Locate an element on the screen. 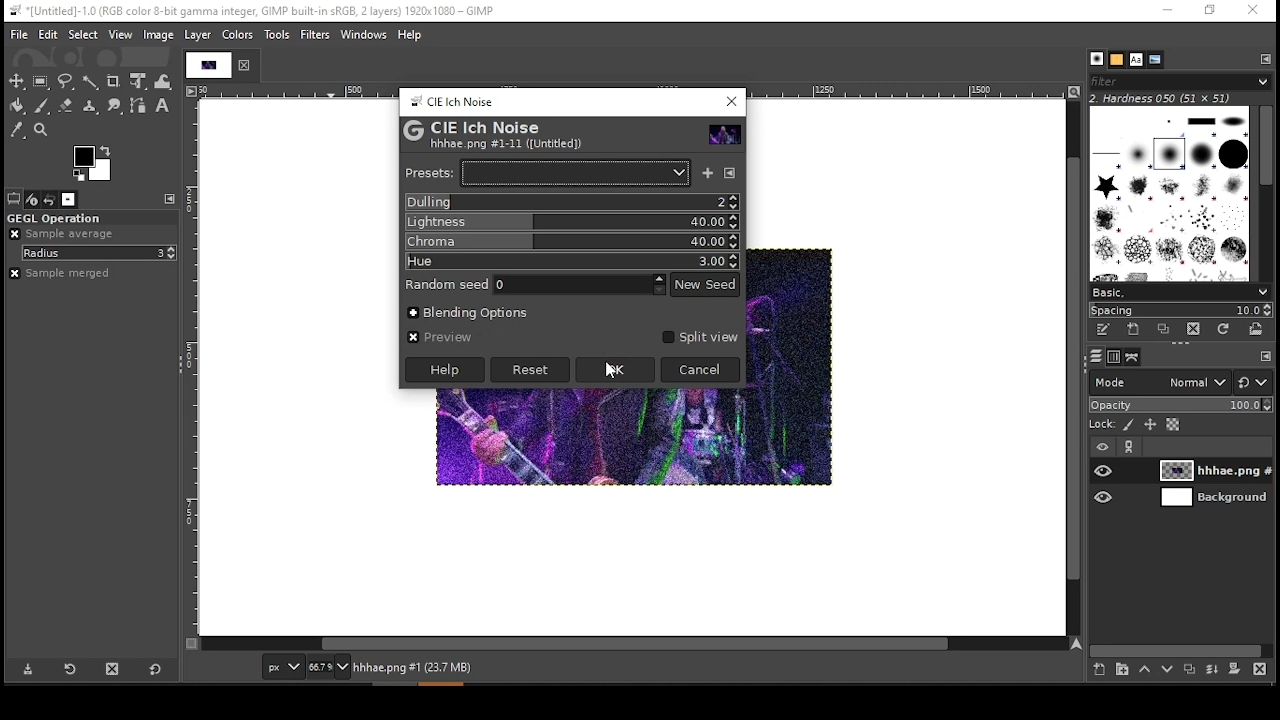 This screenshot has height=720, width=1280. colors is located at coordinates (238, 36).